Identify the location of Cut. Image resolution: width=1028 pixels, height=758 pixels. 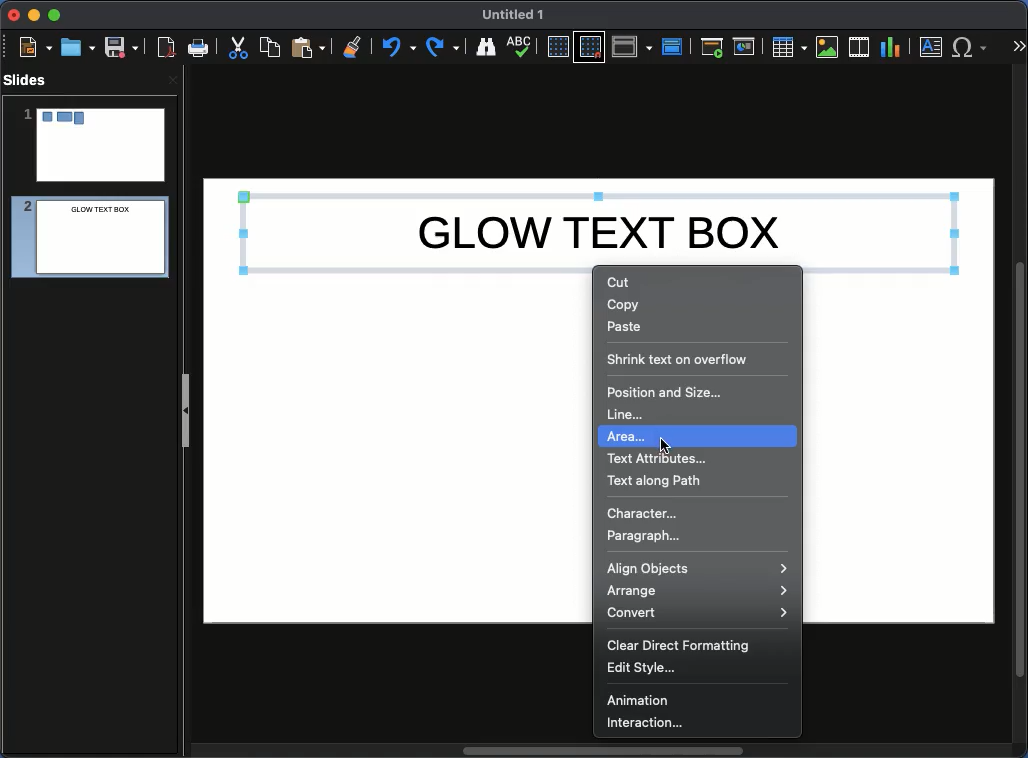
(619, 282).